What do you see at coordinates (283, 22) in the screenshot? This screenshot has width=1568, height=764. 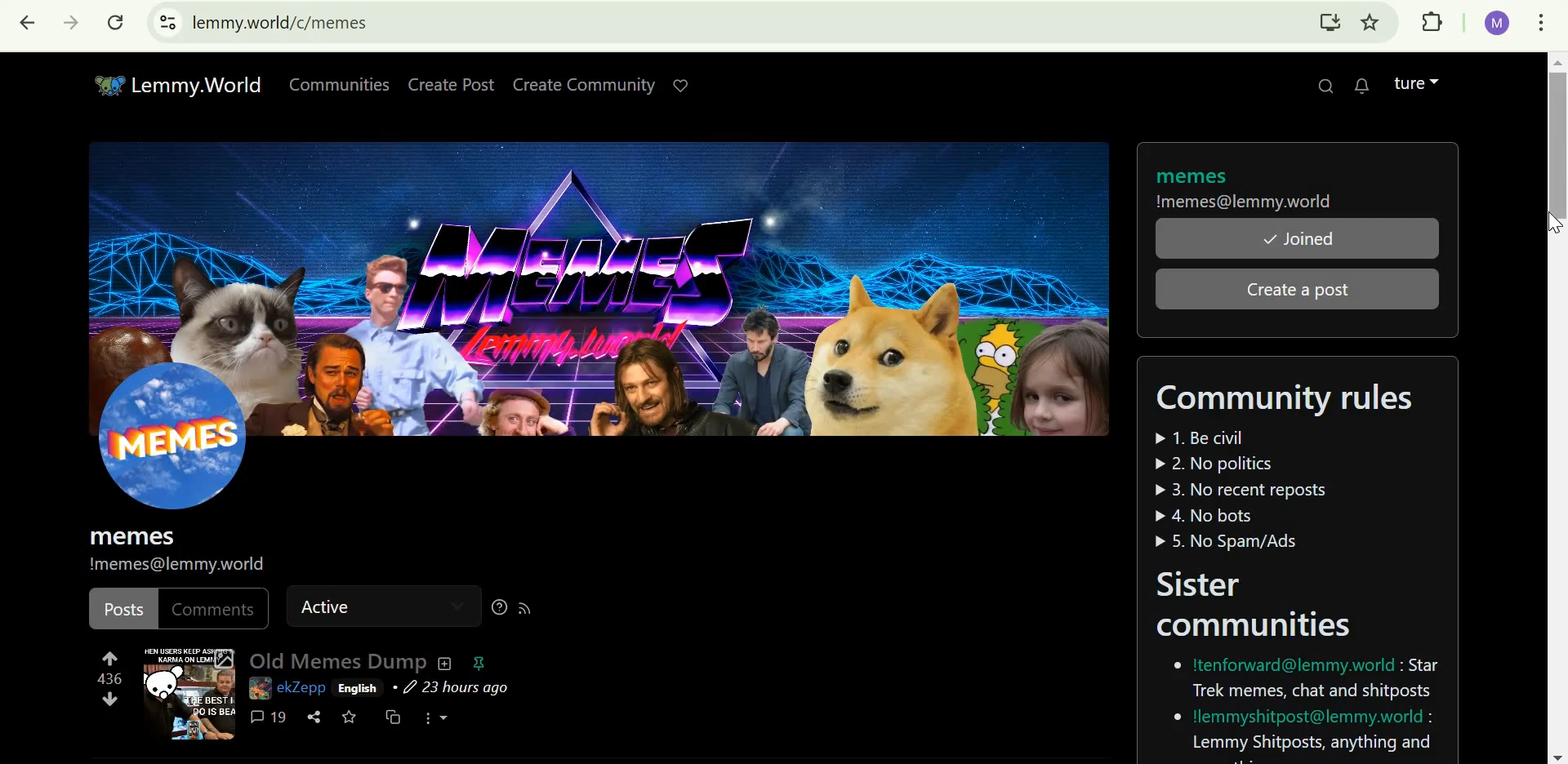 I see `lemmy.world/c/memes` at bounding box center [283, 22].